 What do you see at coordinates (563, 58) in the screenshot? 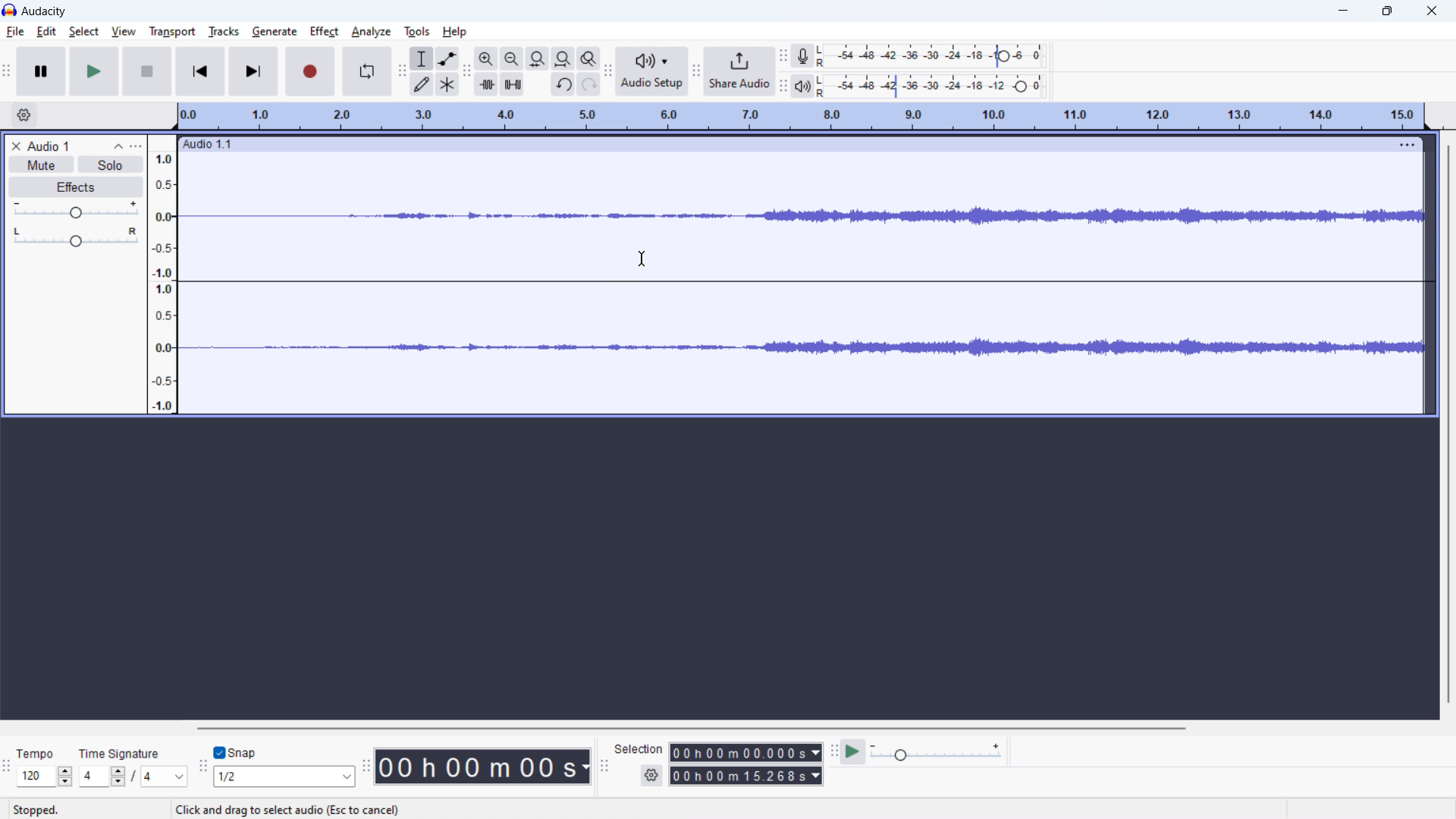
I see `fit project to width` at bounding box center [563, 58].